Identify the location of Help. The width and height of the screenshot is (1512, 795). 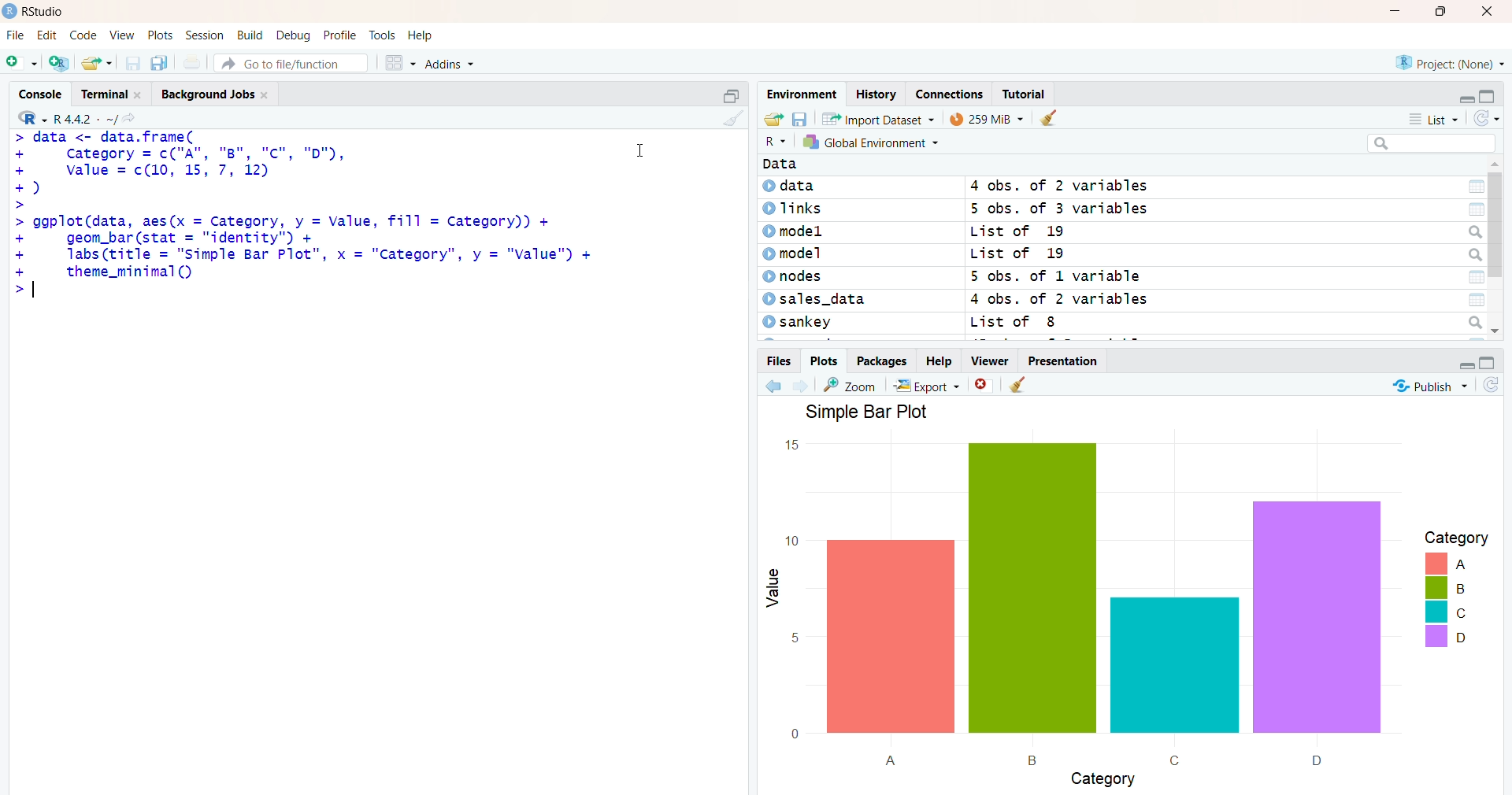
(937, 361).